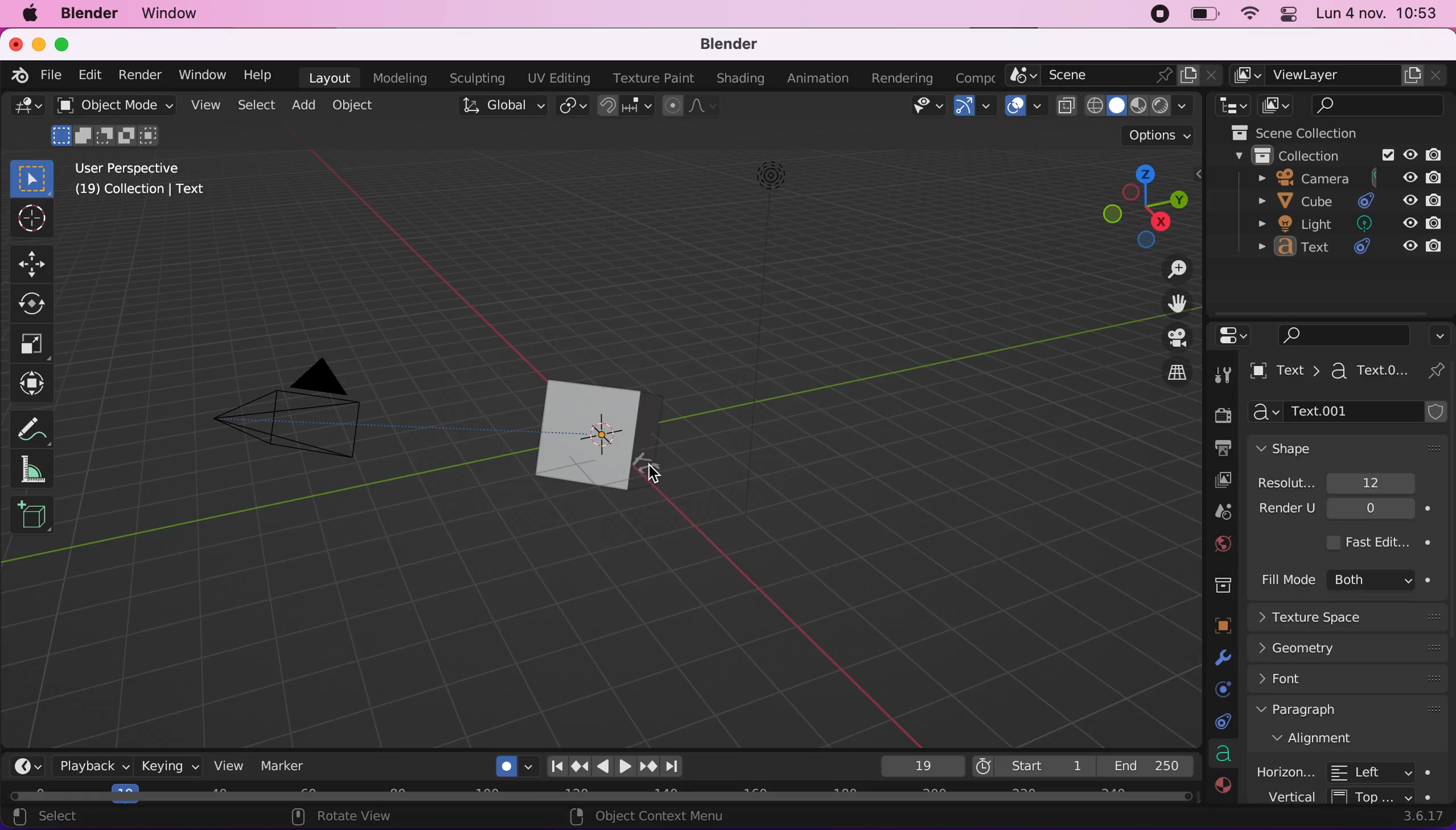  What do you see at coordinates (209, 108) in the screenshot?
I see `view` at bounding box center [209, 108].